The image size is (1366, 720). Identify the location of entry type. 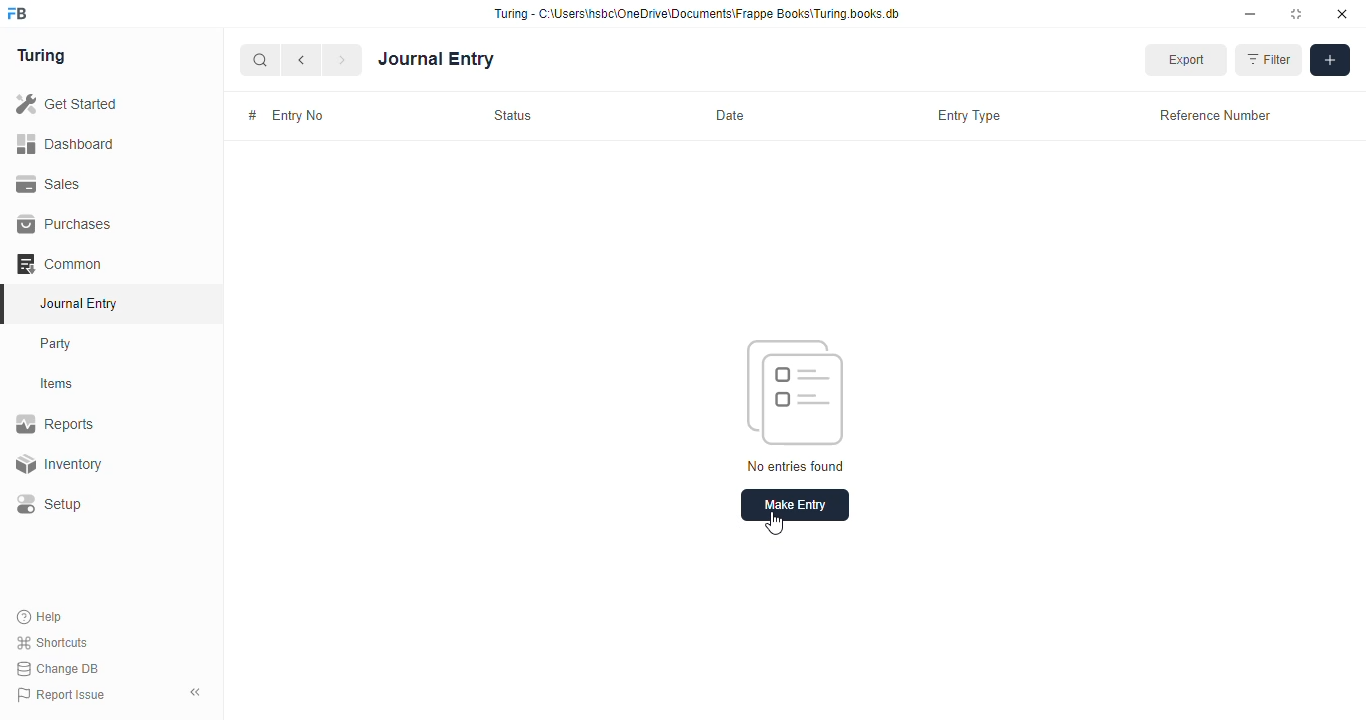
(970, 116).